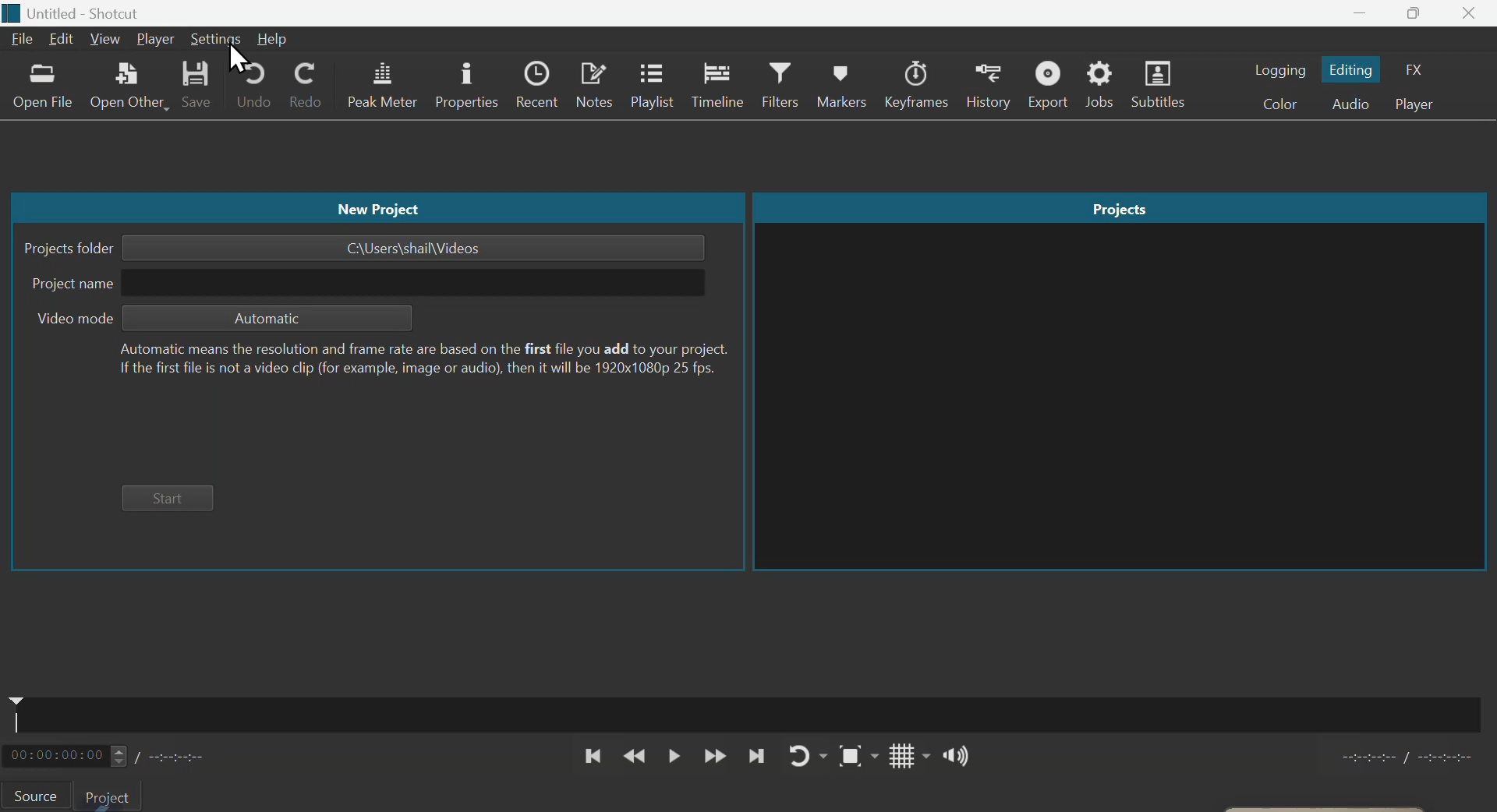 Image resolution: width=1497 pixels, height=812 pixels. Describe the element at coordinates (71, 319) in the screenshot. I see `Video mode` at that location.